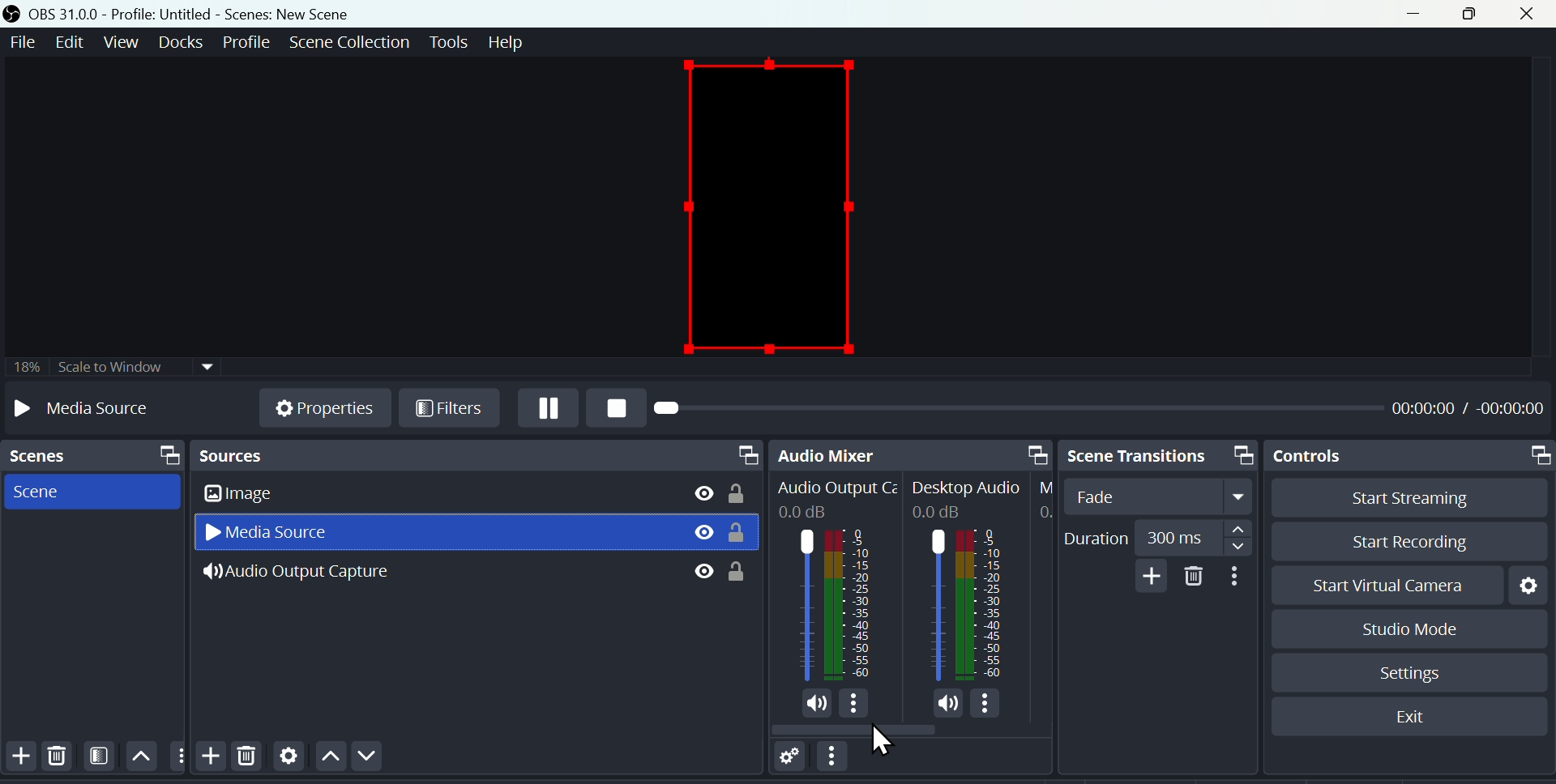  I want to click on Visibility, so click(703, 492).